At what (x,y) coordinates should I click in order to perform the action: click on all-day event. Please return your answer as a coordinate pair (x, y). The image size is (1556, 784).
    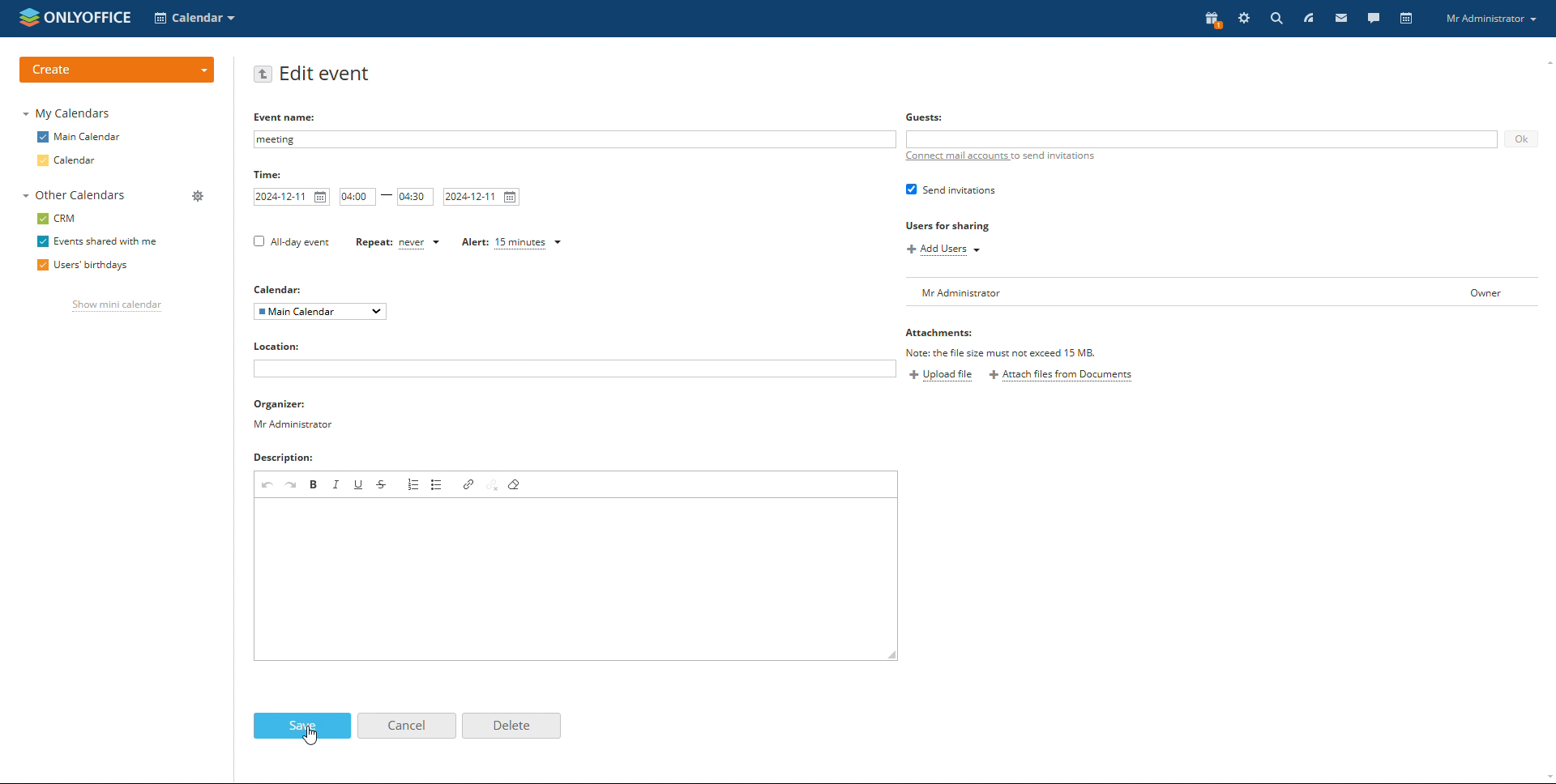
    Looking at the image, I should click on (292, 242).